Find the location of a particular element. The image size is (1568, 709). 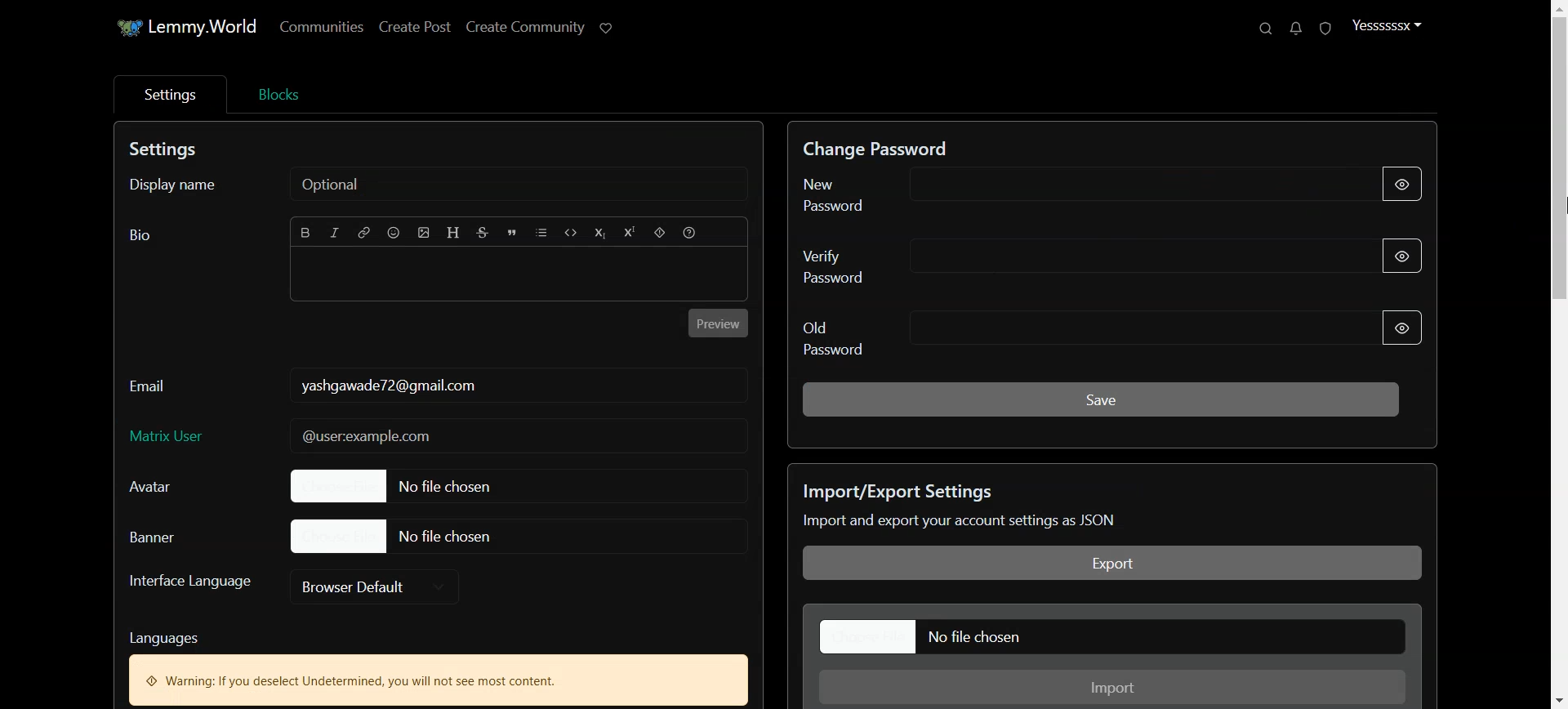

Blocks is located at coordinates (279, 94).